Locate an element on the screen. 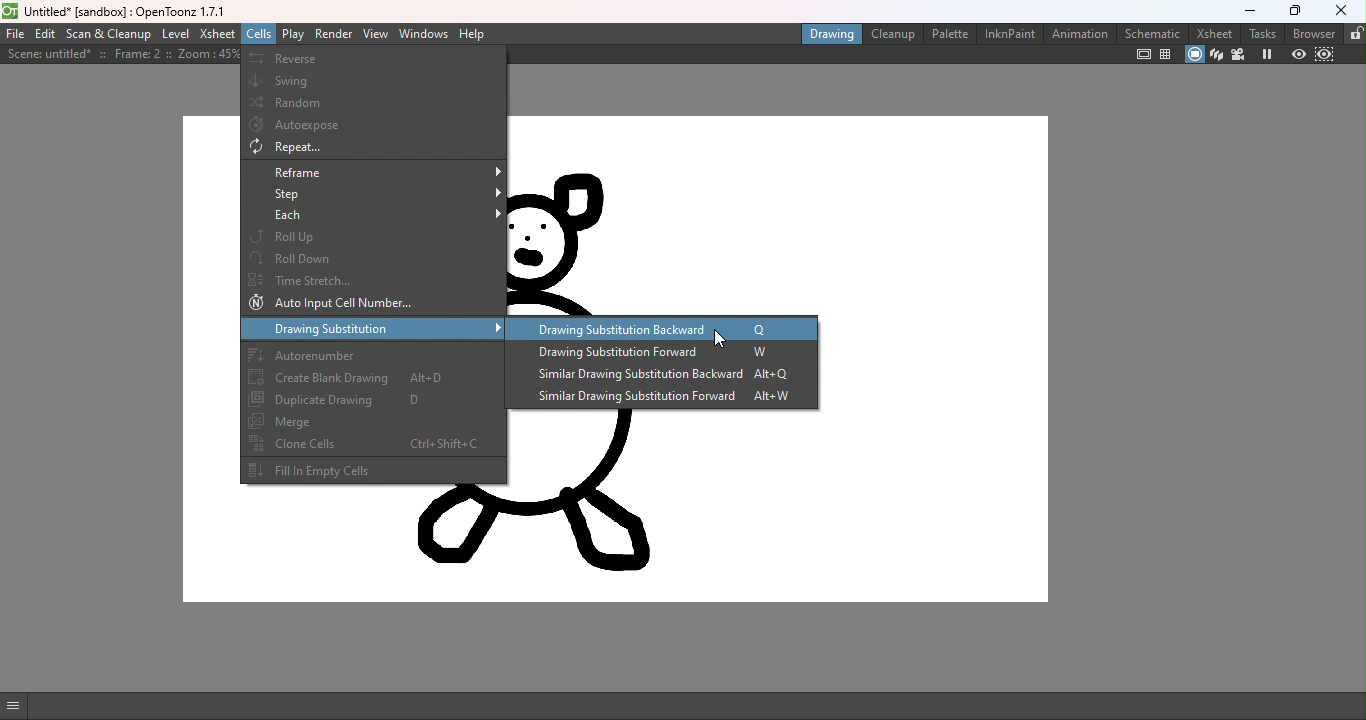 The image size is (1366, 720). Minimize is located at coordinates (1250, 9).